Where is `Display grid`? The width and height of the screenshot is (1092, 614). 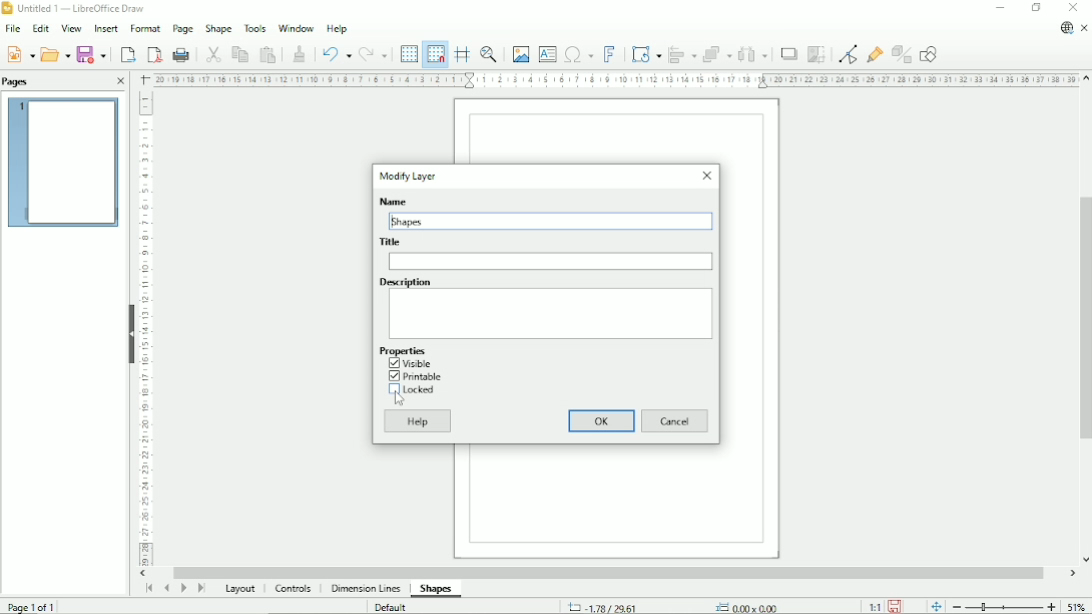 Display grid is located at coordinates (408, 54).